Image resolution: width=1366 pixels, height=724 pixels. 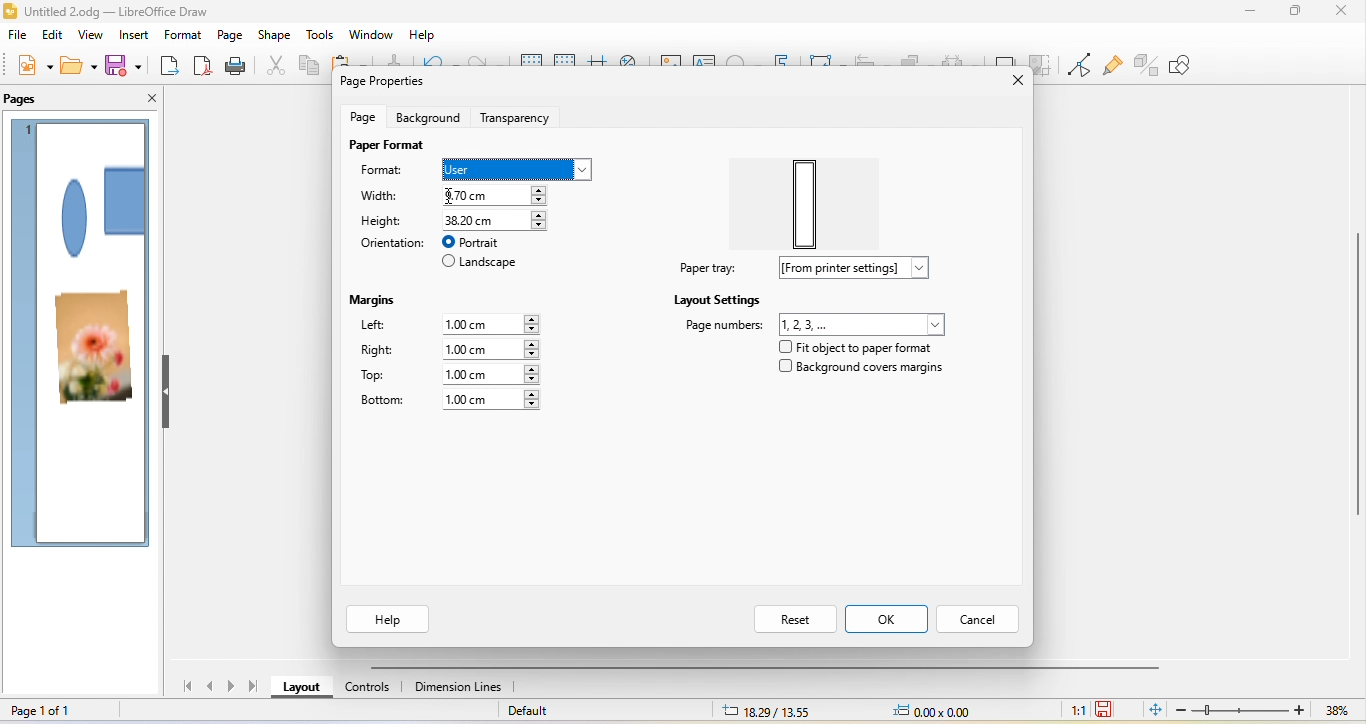 I want to click on cursor movement, so click(x=450, y=193).